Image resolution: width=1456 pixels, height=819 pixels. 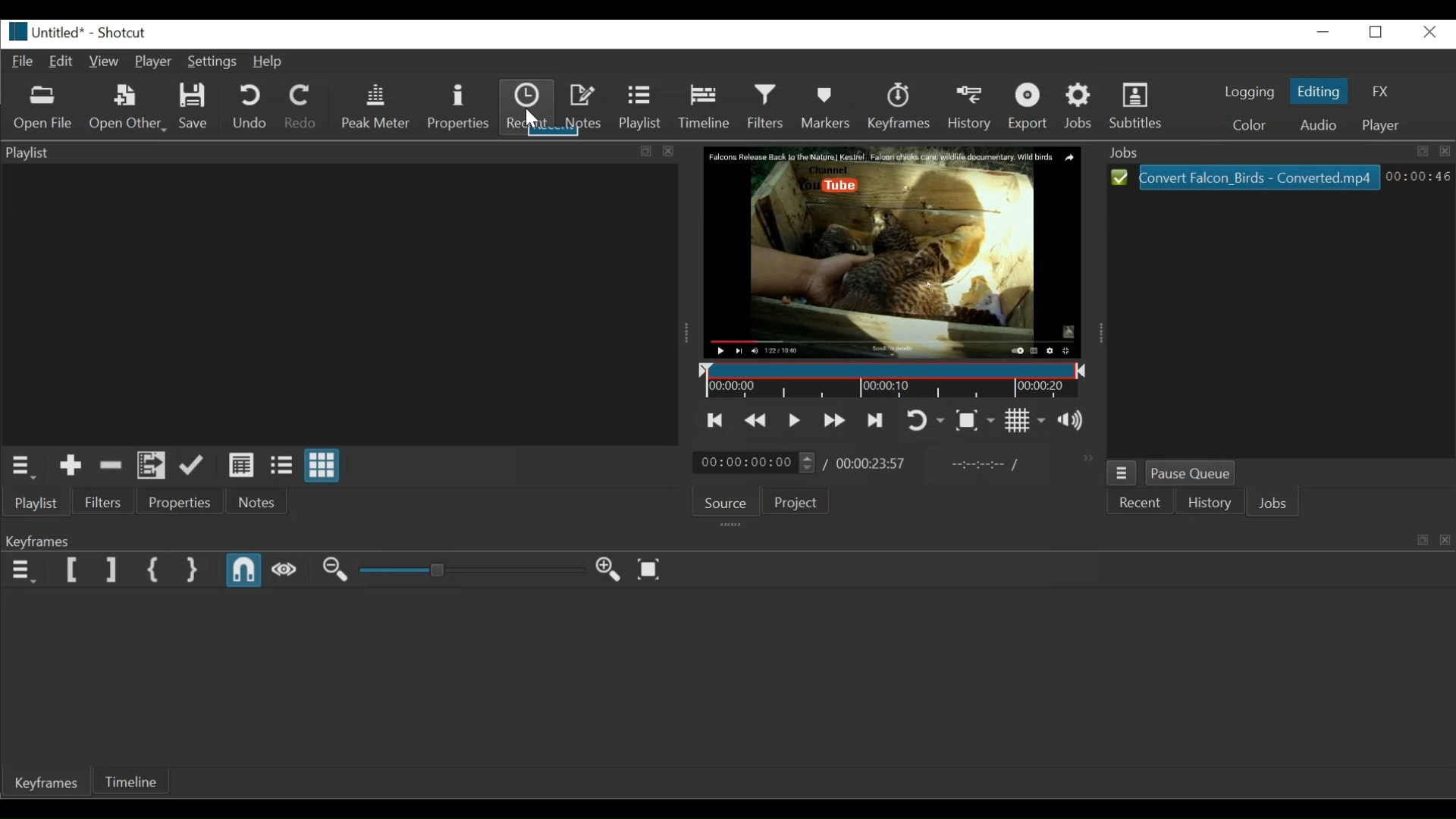 I want to click on Playlist Panel, so click(x=335, y=154).